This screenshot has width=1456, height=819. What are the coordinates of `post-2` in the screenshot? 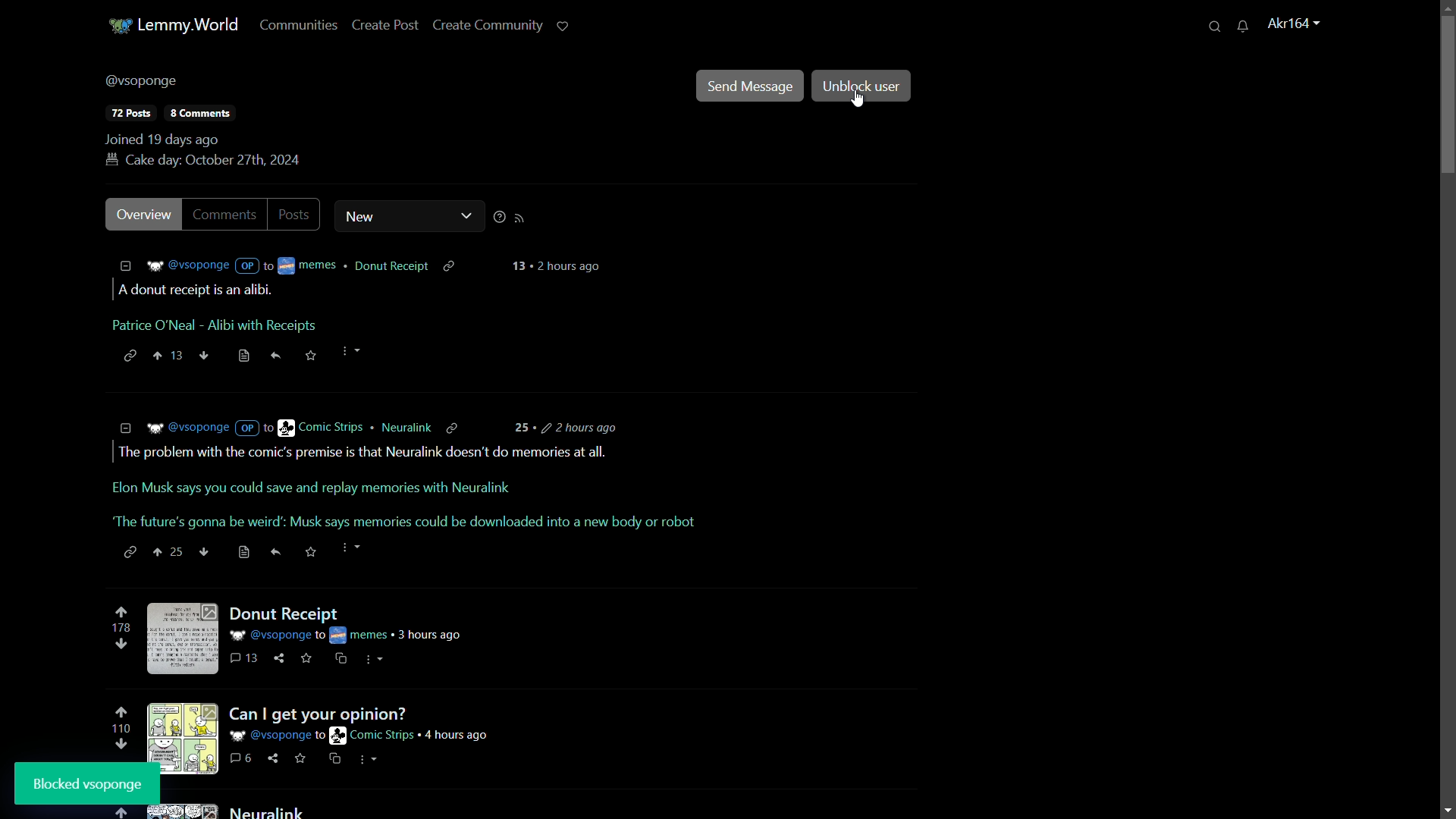 It's located at (359, 723).